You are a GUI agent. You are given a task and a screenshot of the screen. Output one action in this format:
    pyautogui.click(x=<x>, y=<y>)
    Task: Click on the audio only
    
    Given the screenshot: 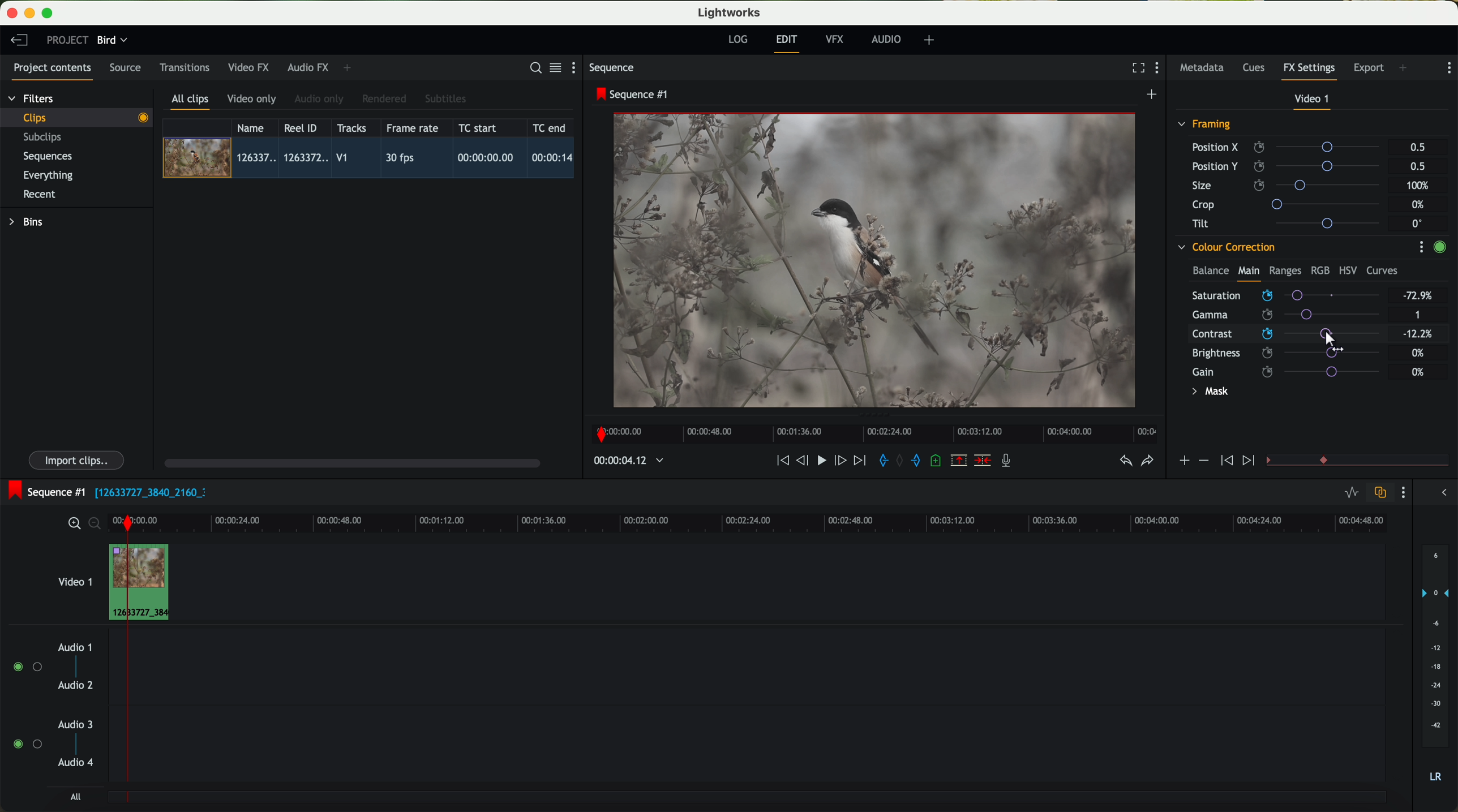 What is the action you would take?
    pyautogui.click(x=320, y=99)
    